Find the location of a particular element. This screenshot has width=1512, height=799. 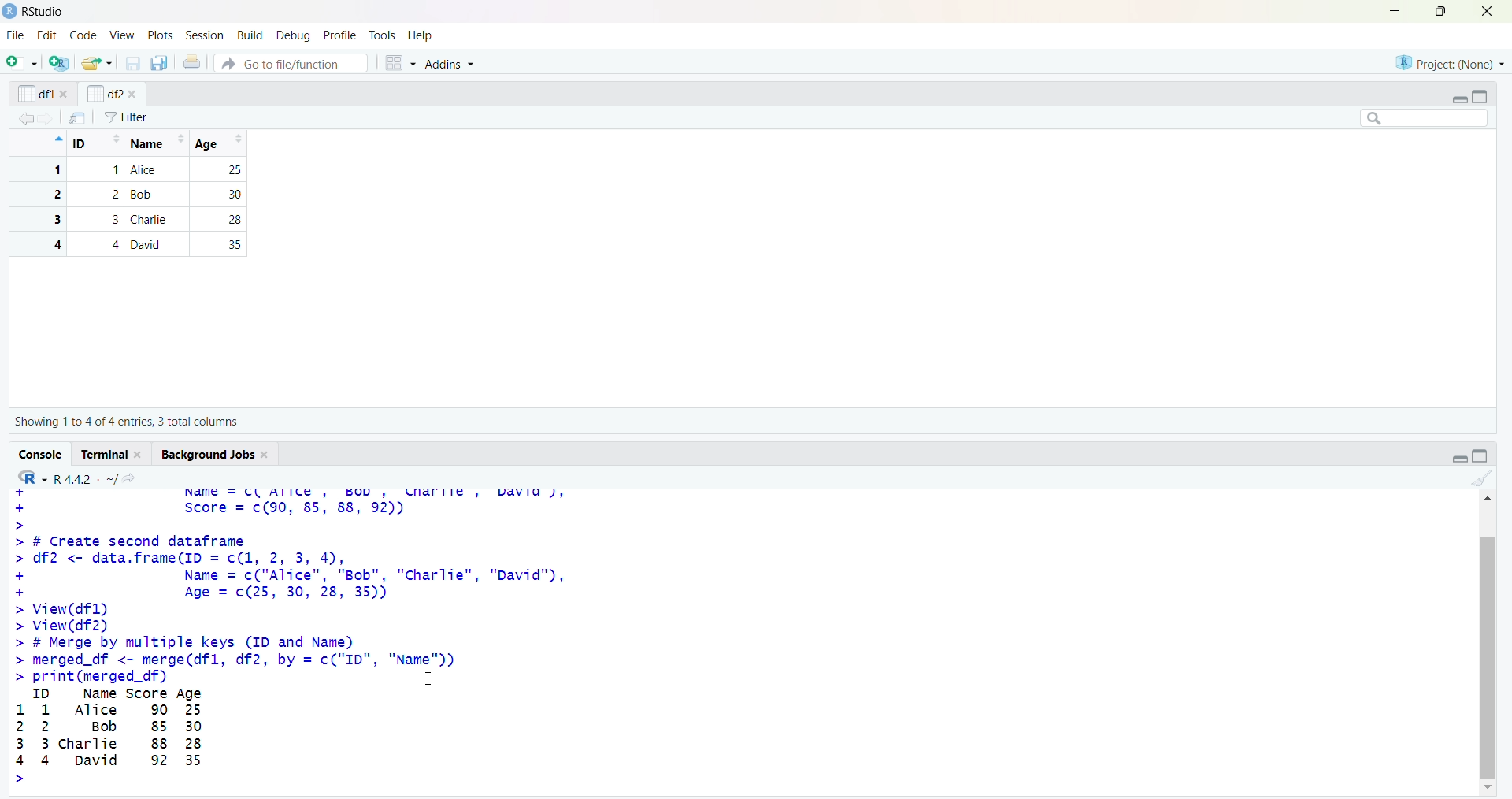

Console is located at coordinates (42, 455).